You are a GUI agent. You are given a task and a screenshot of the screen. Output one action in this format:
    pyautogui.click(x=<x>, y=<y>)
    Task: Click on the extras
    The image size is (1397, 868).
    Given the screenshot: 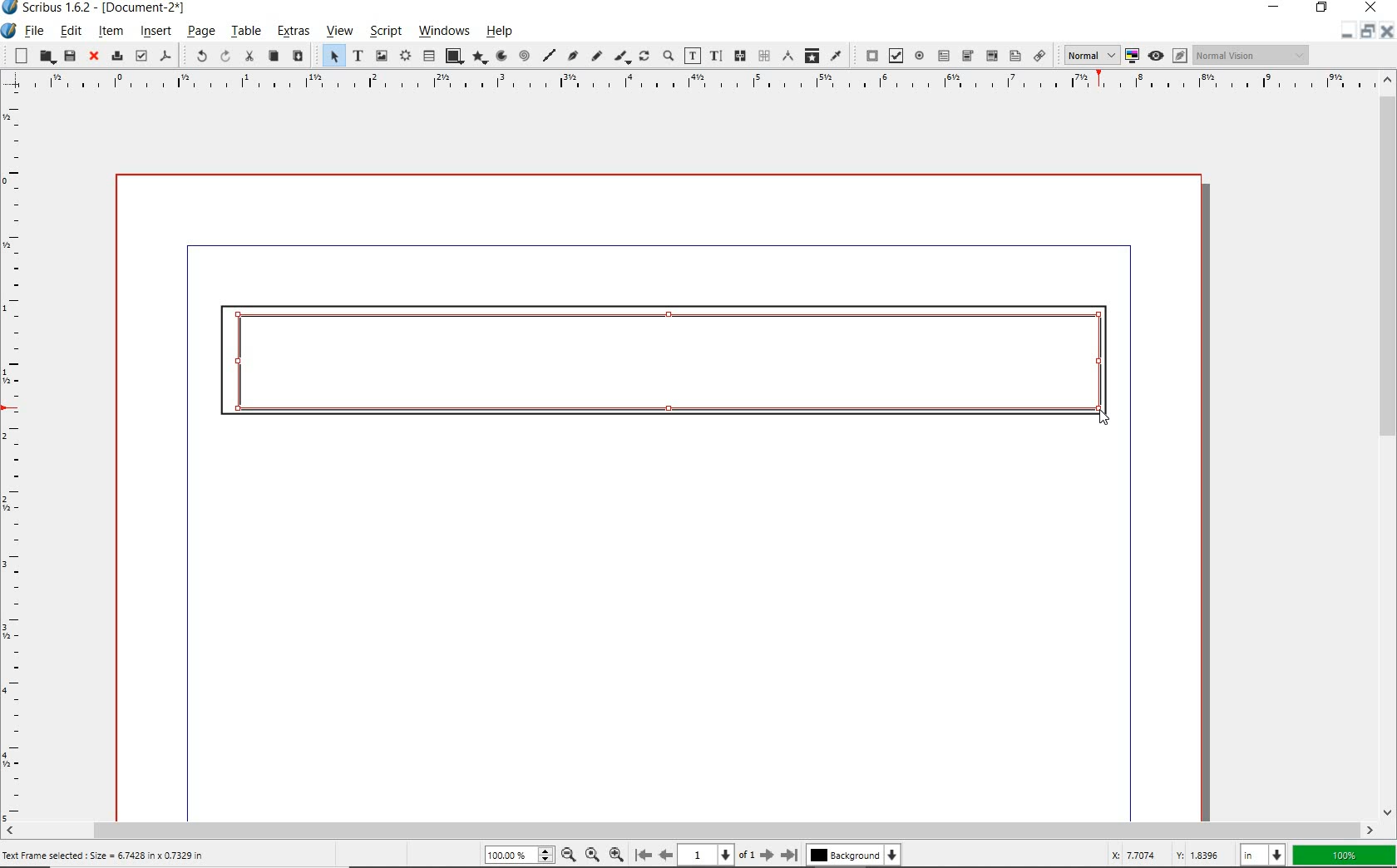 What is the action you would take?
    pyautogui.click(x=294, y=32)
    